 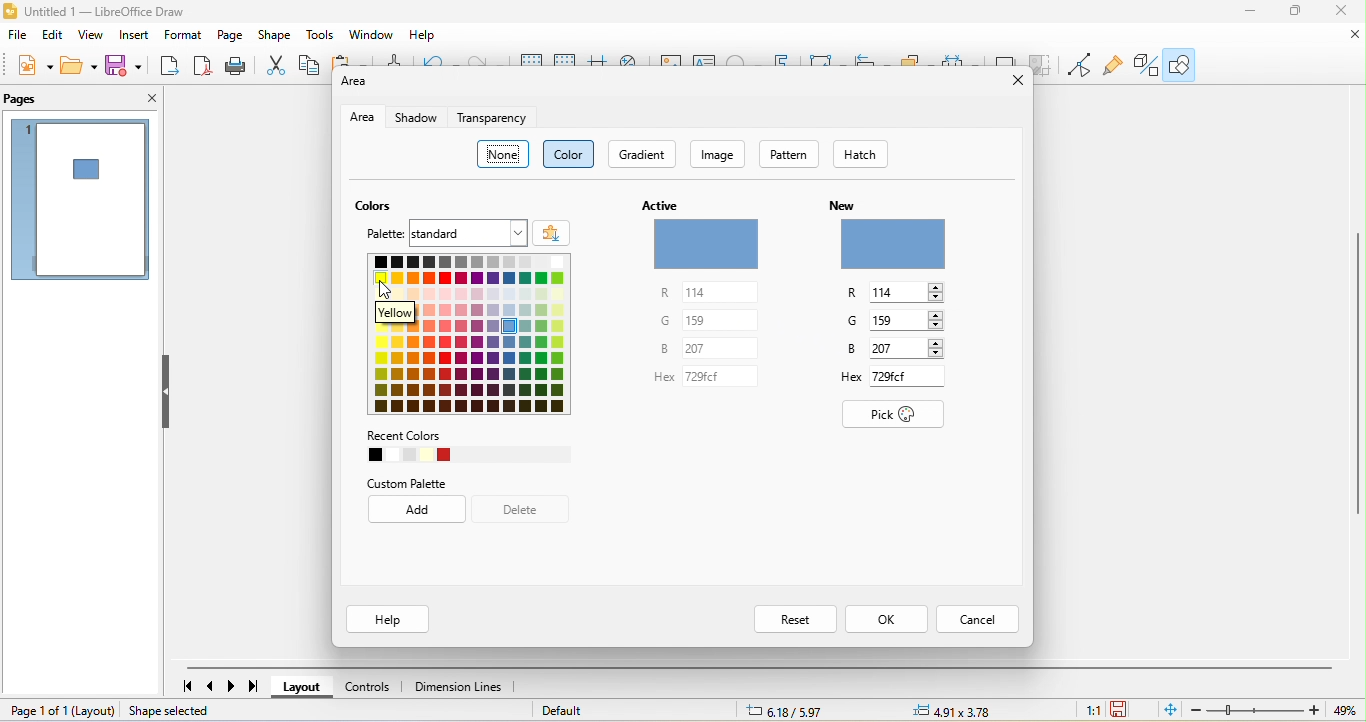 I want to click on show draw function, so click(x=1183, y=63).